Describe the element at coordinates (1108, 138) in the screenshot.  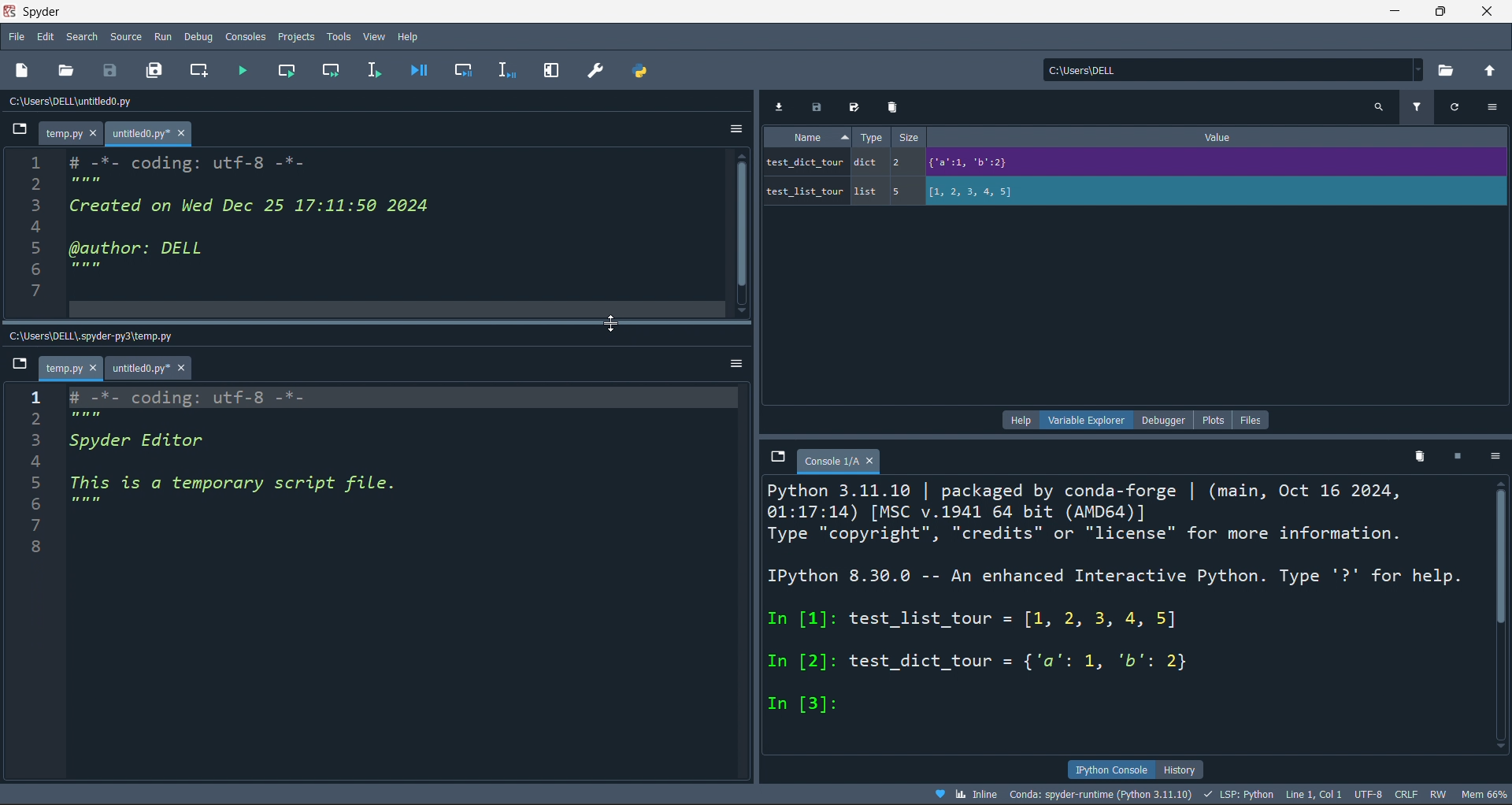
I see `a | Name a Type Size Value` at that location.